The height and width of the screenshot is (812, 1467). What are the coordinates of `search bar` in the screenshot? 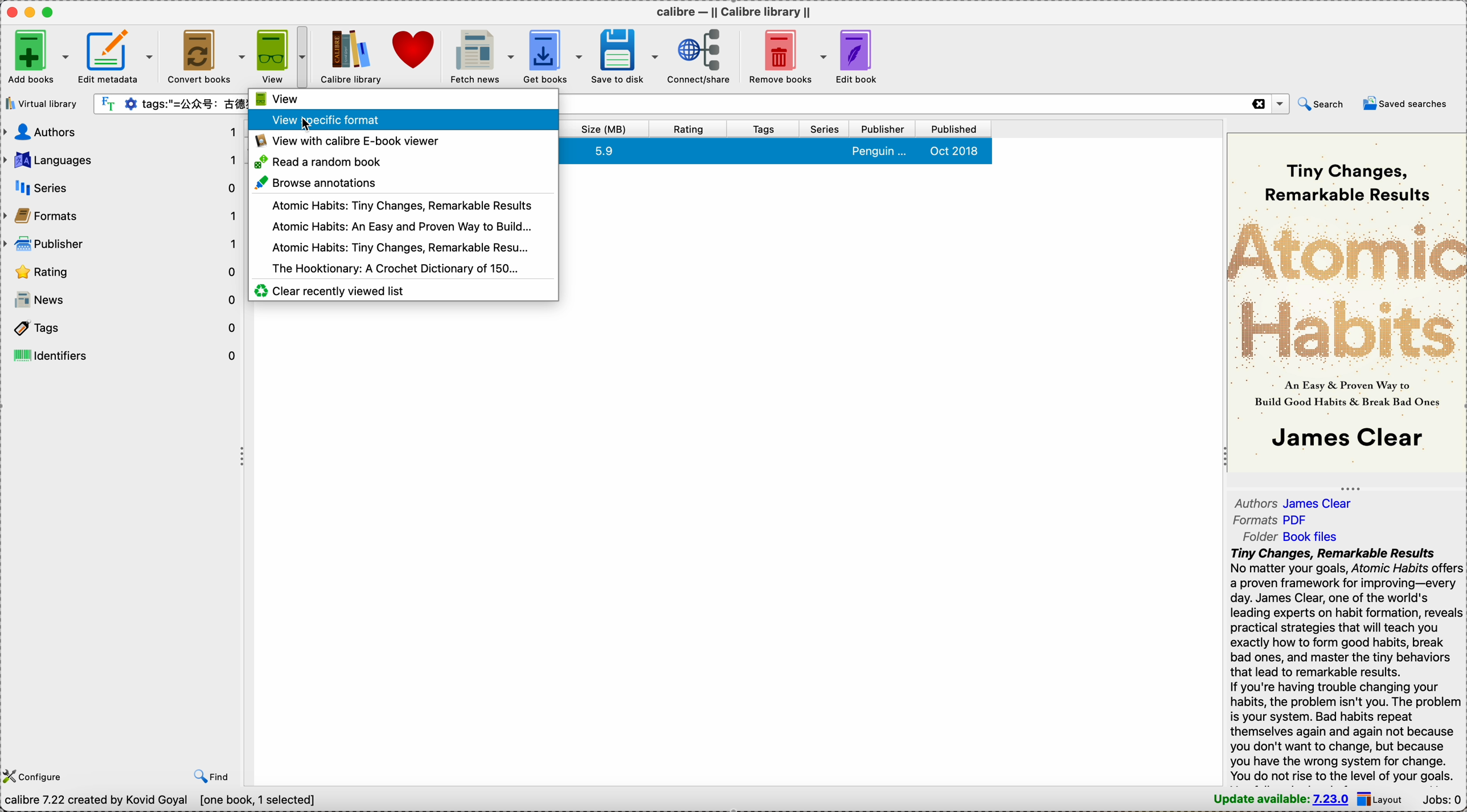 It's located at (925, 104).